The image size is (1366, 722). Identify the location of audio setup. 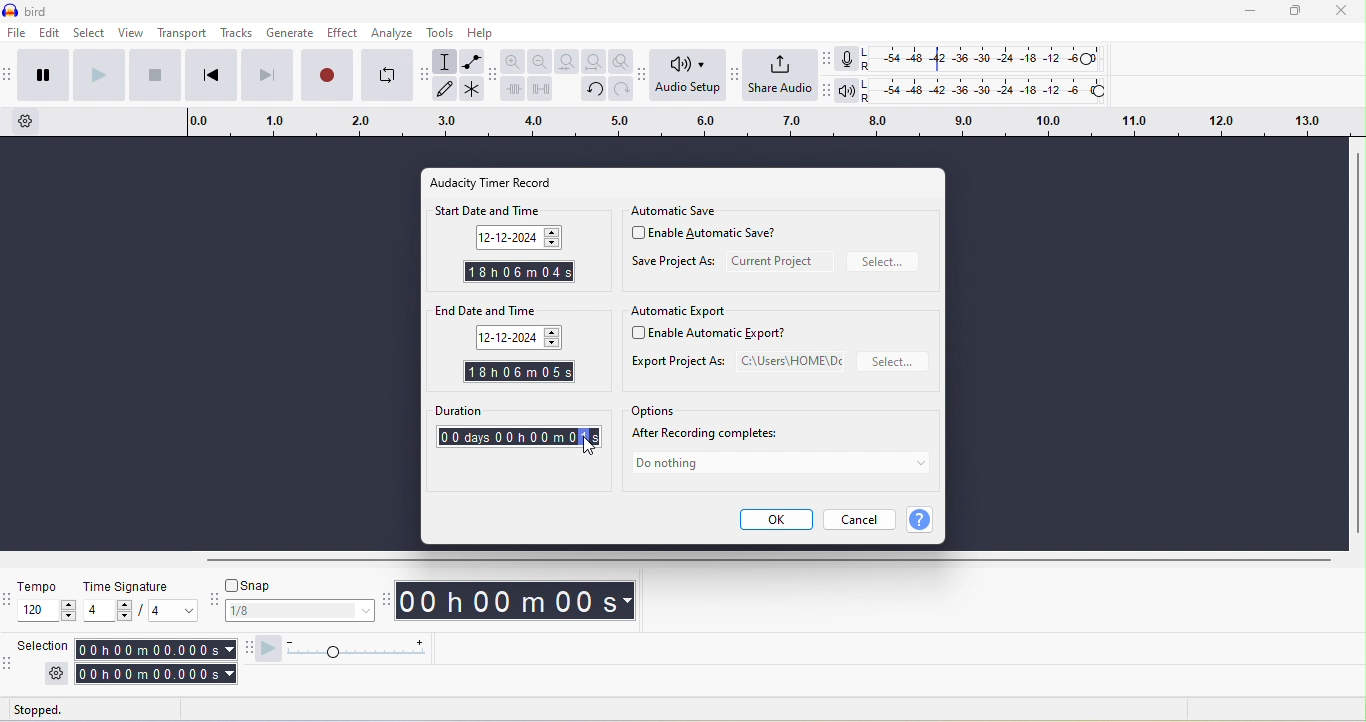
(689, 76).